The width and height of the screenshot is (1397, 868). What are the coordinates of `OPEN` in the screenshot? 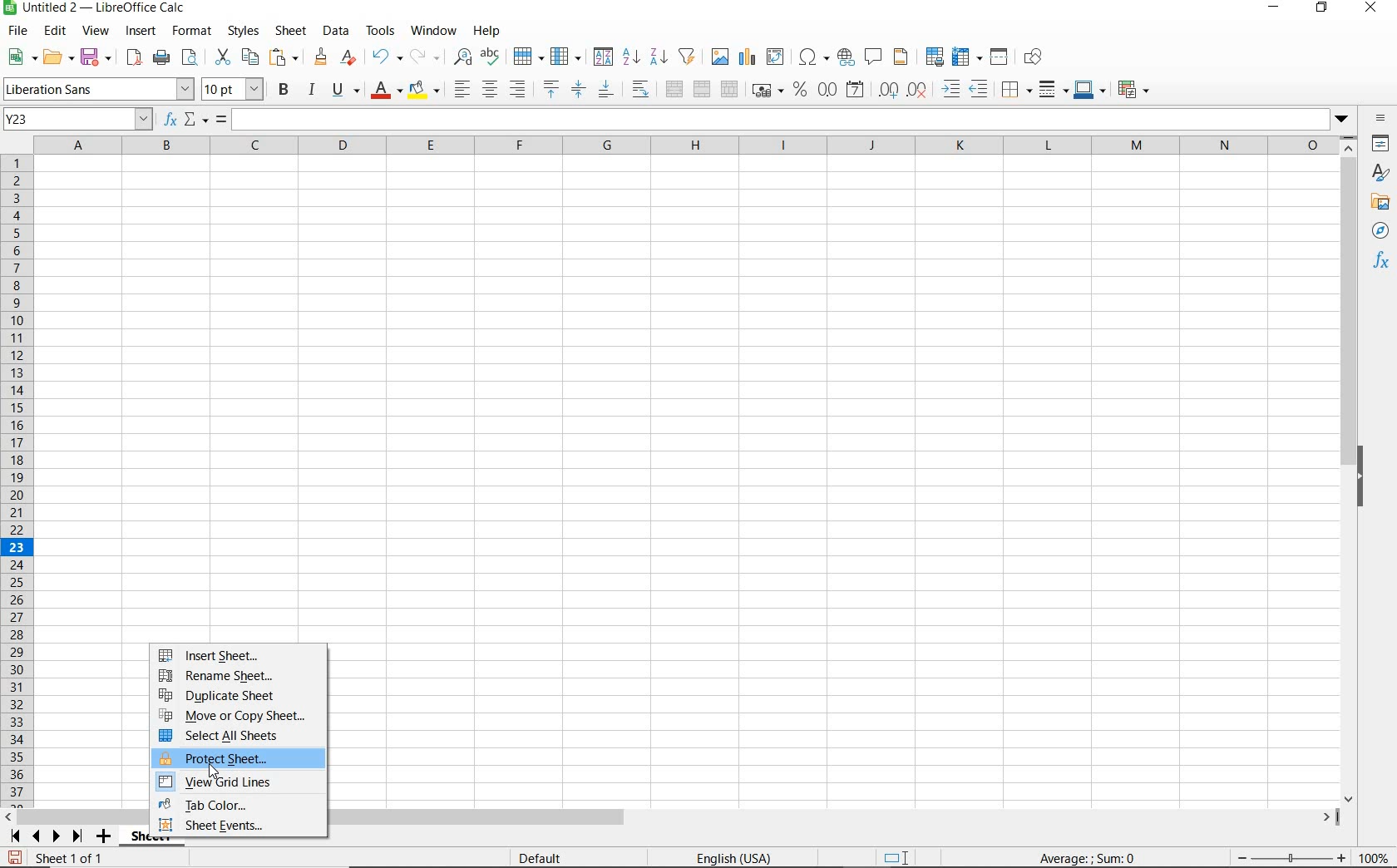 It's located at (56, 57).